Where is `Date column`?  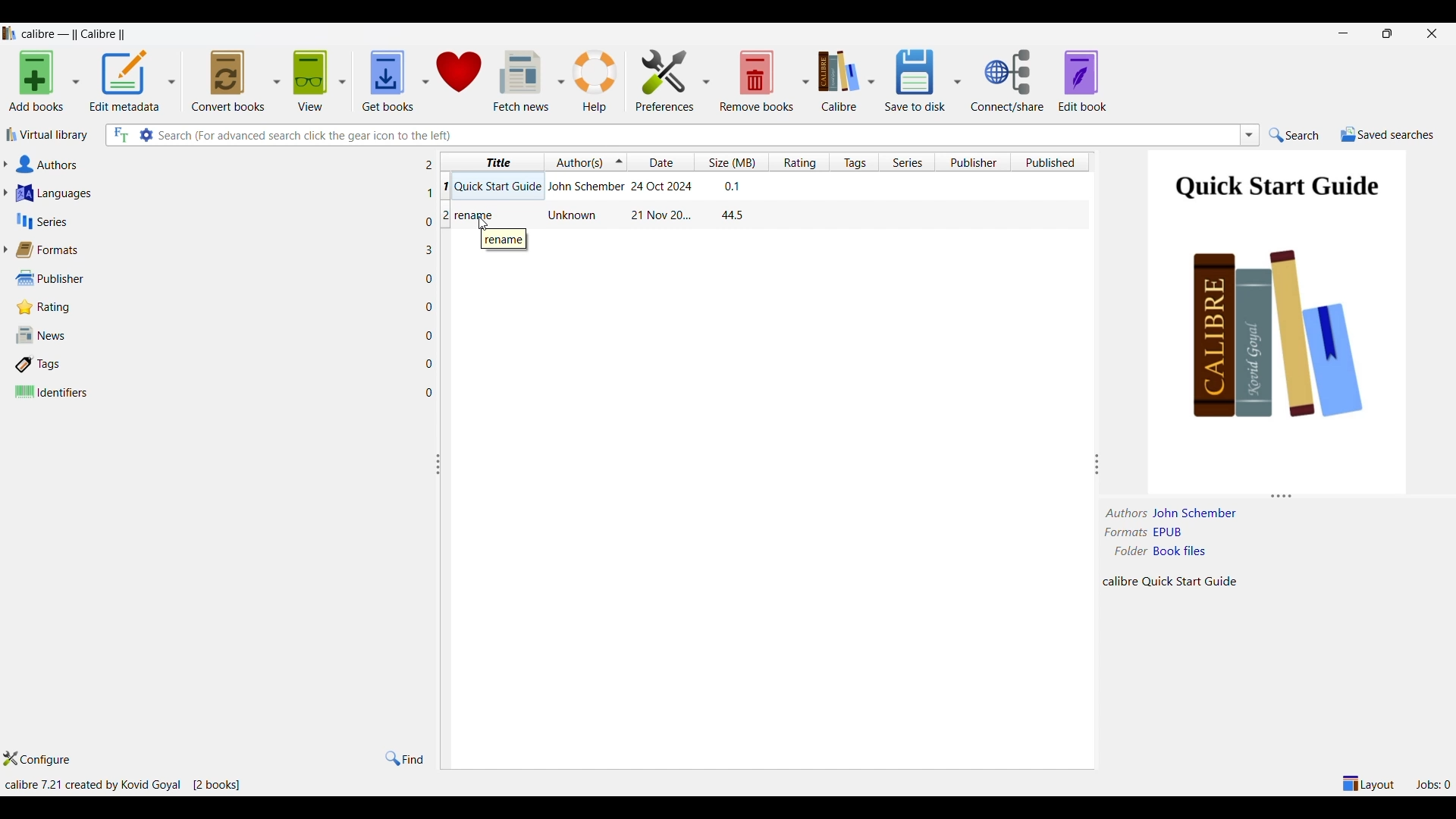 Date column is located at coordinates (661, 162).